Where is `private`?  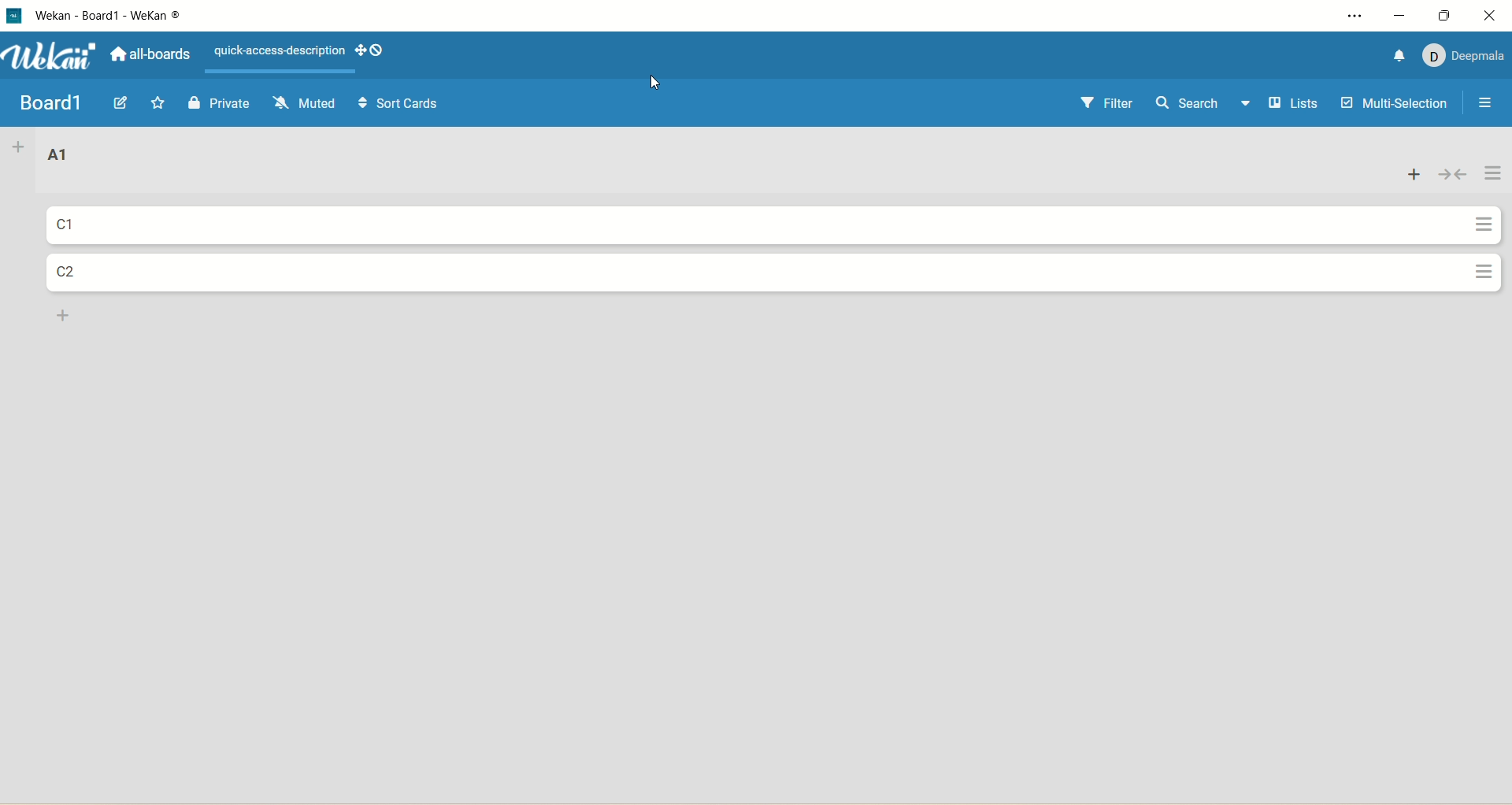 private is located at coordinates (221, 102).